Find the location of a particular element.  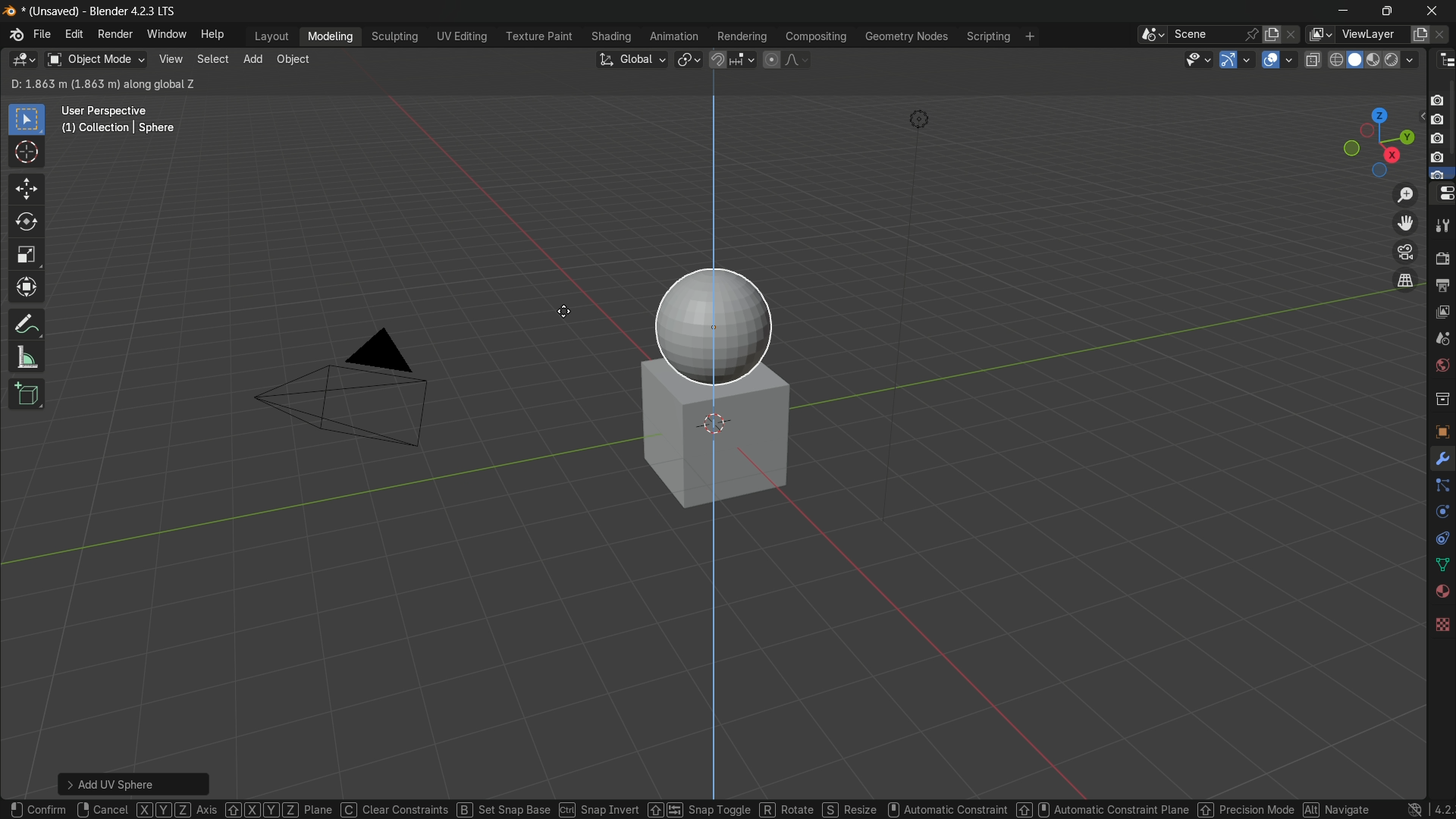

compositing menu is located at coordinates (814, 36).